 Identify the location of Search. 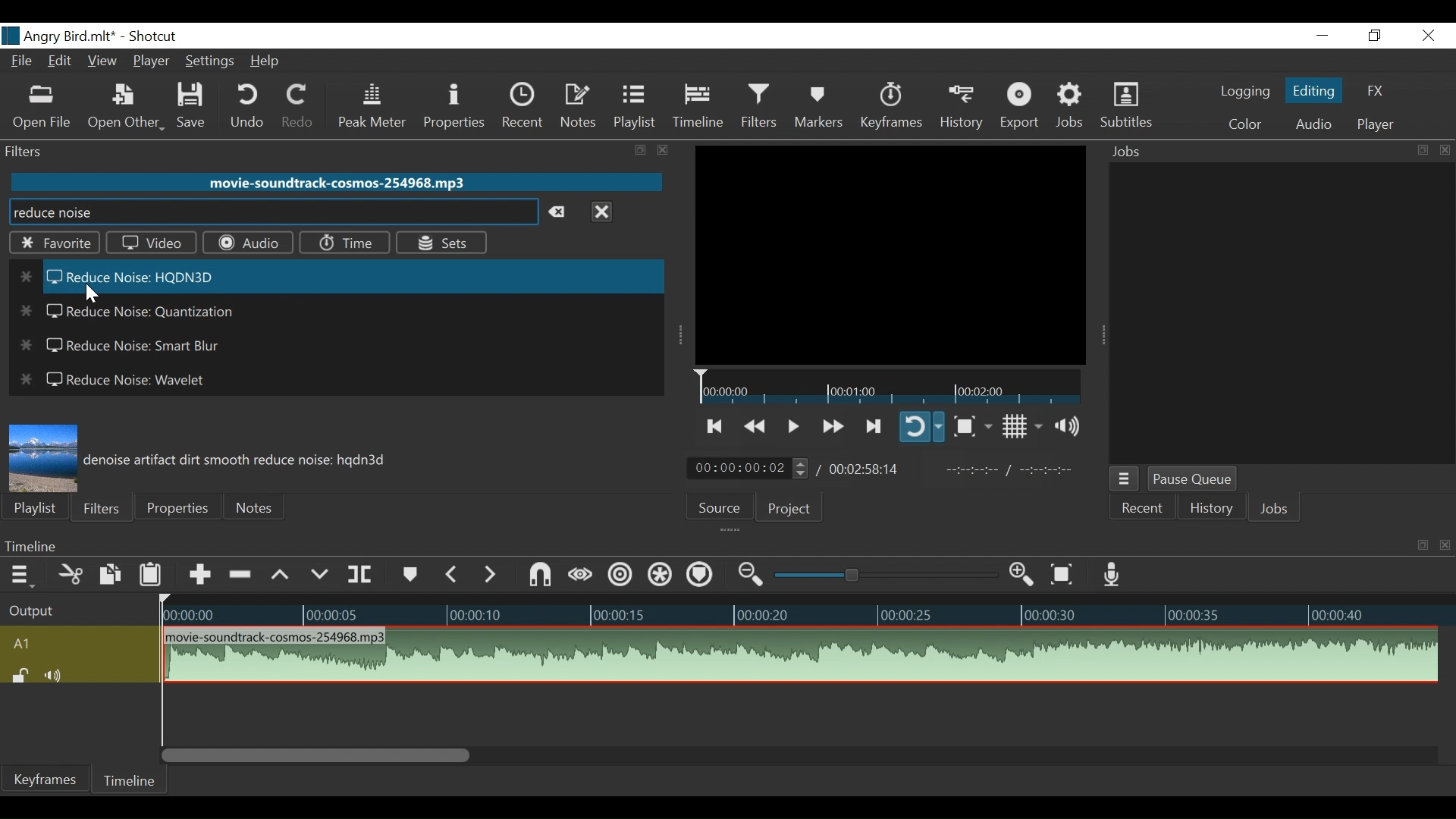
(272, 214).